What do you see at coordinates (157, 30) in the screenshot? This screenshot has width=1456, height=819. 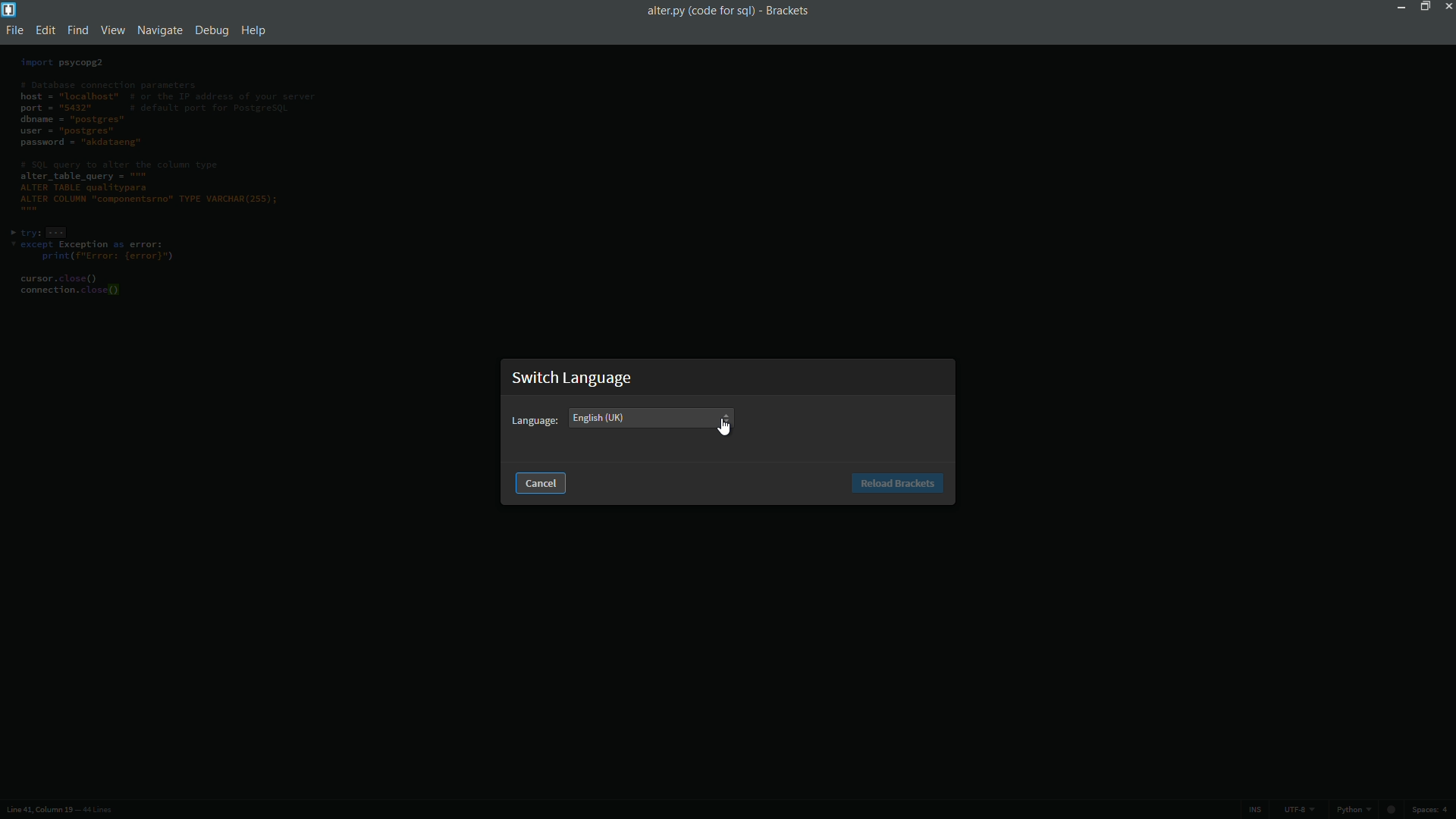 I see `navigate menu` at bounding box center [157, 30].